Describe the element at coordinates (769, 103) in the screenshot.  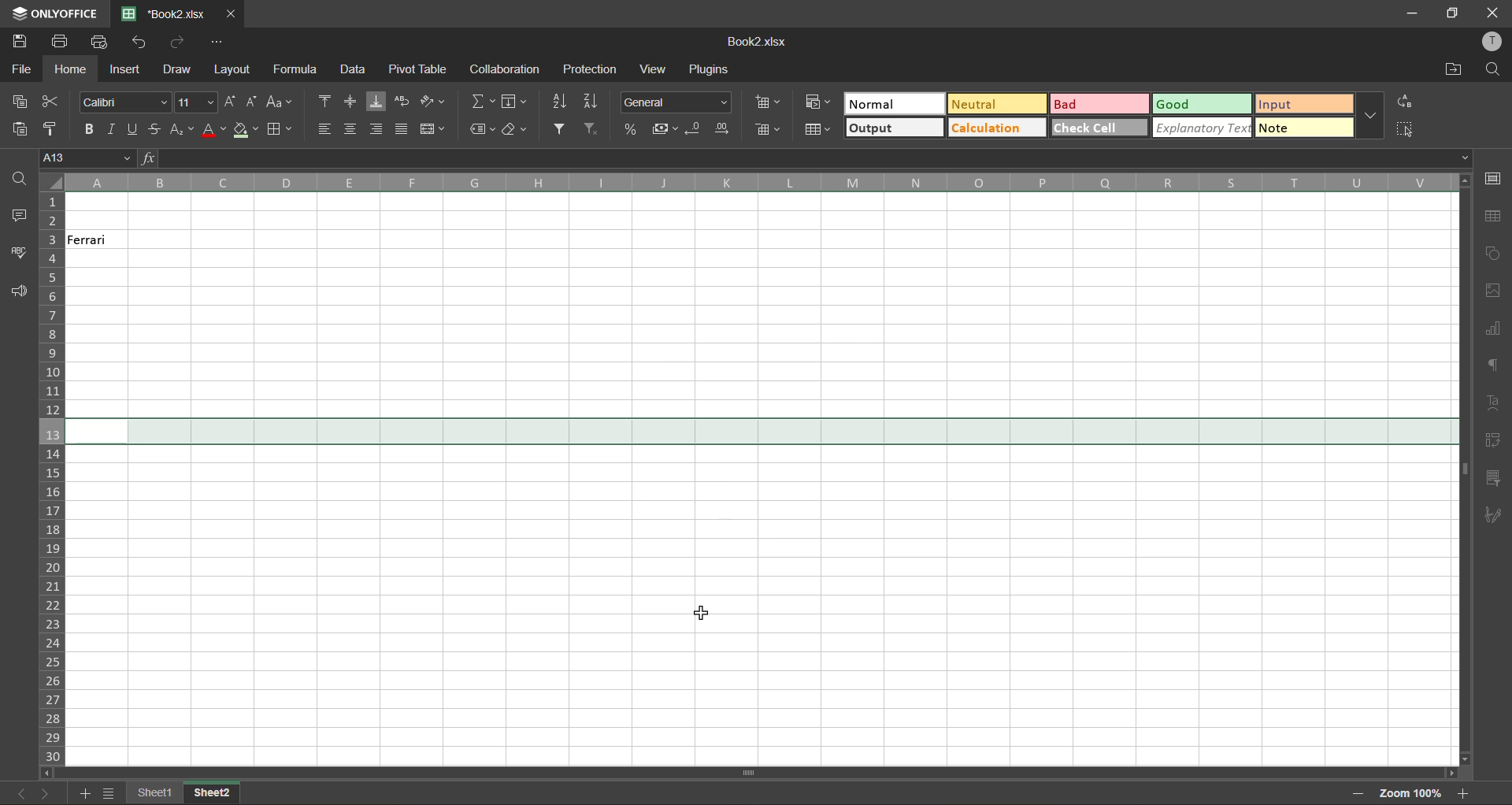
I see `insert cells` at that location.